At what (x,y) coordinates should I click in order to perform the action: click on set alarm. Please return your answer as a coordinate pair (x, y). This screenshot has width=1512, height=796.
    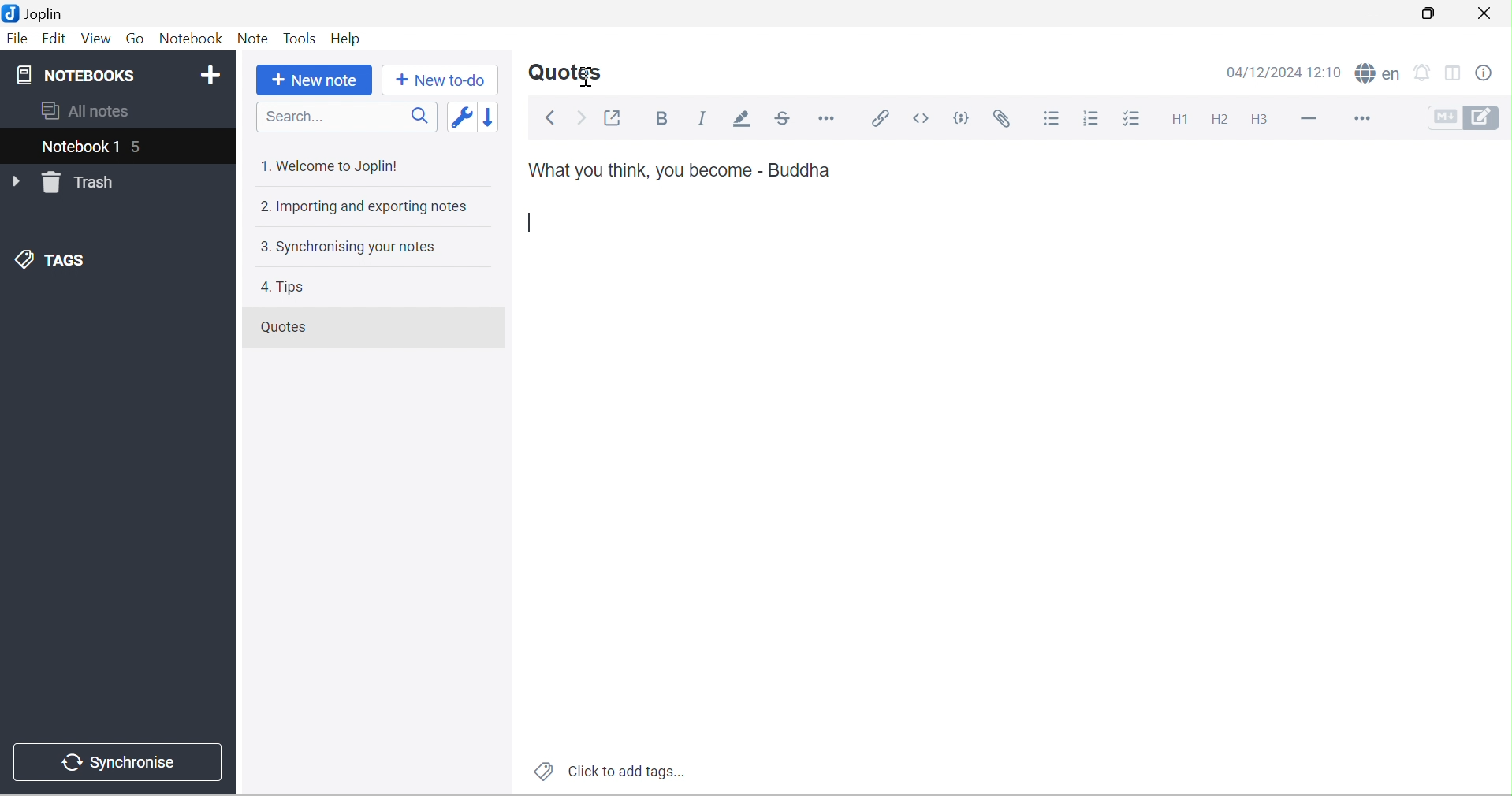
    Looking at the image, I should click on (1423, 71).